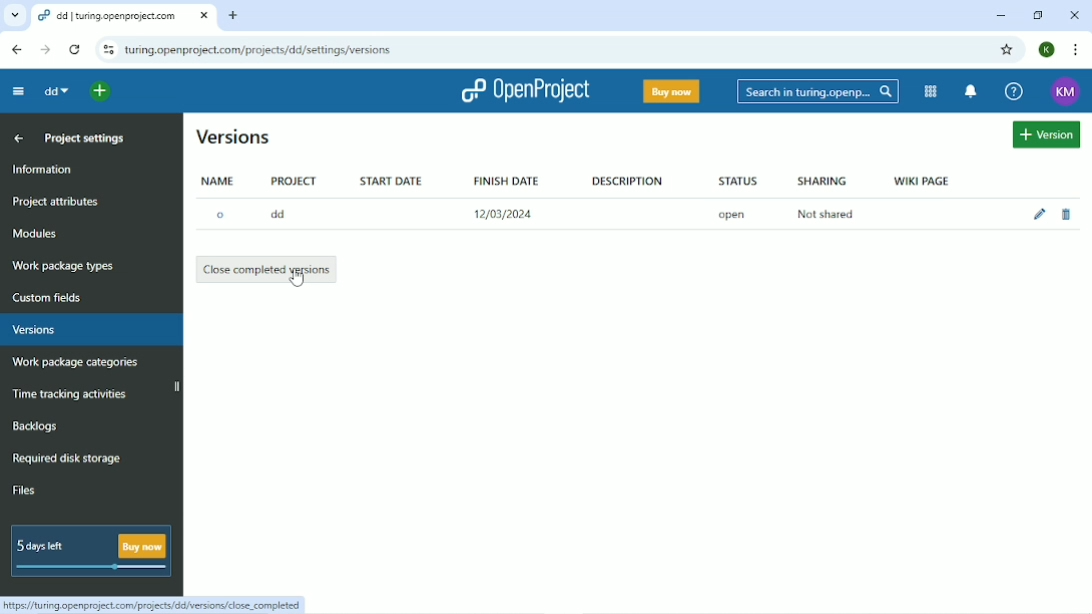 This screenshot has height=614, width=1092. What do you see at coordinates (1066, 215) in the screenshot?
I see `Delete` at bounding box center [1066, 215].